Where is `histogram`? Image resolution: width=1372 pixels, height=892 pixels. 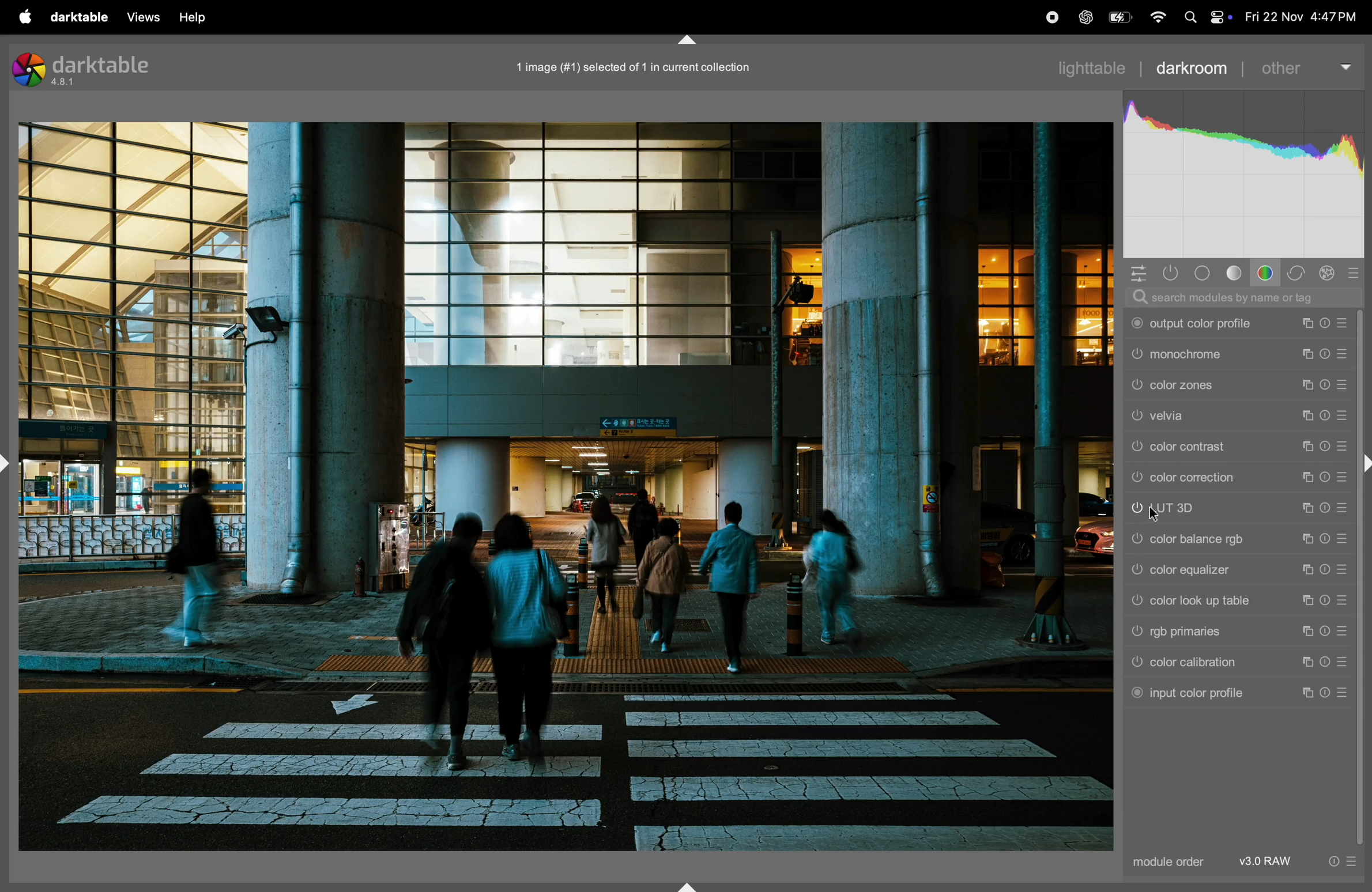
histogram is located at coordinates (1245, 171).